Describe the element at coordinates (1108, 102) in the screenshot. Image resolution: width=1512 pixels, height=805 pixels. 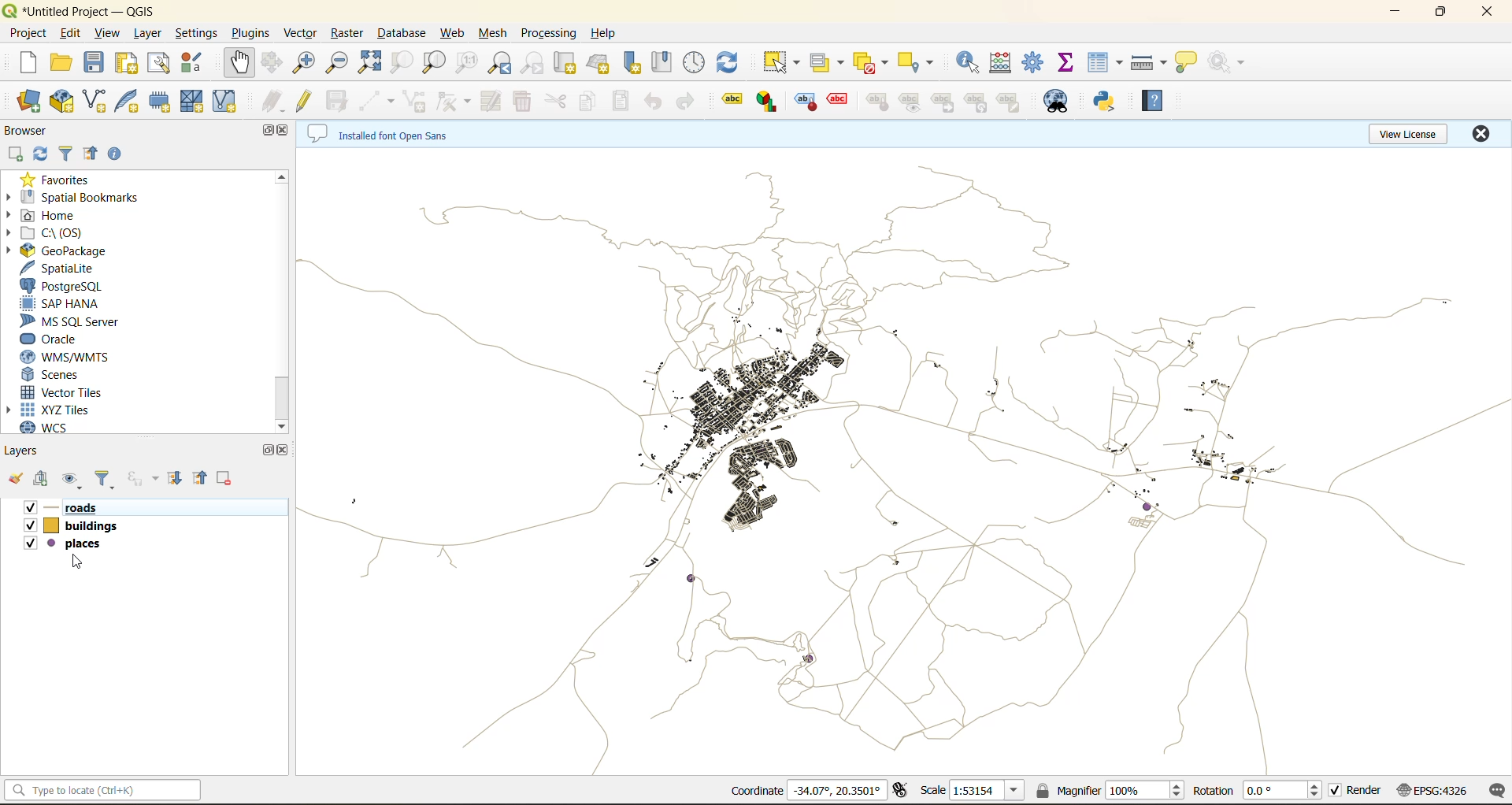
I see `python` at that location.